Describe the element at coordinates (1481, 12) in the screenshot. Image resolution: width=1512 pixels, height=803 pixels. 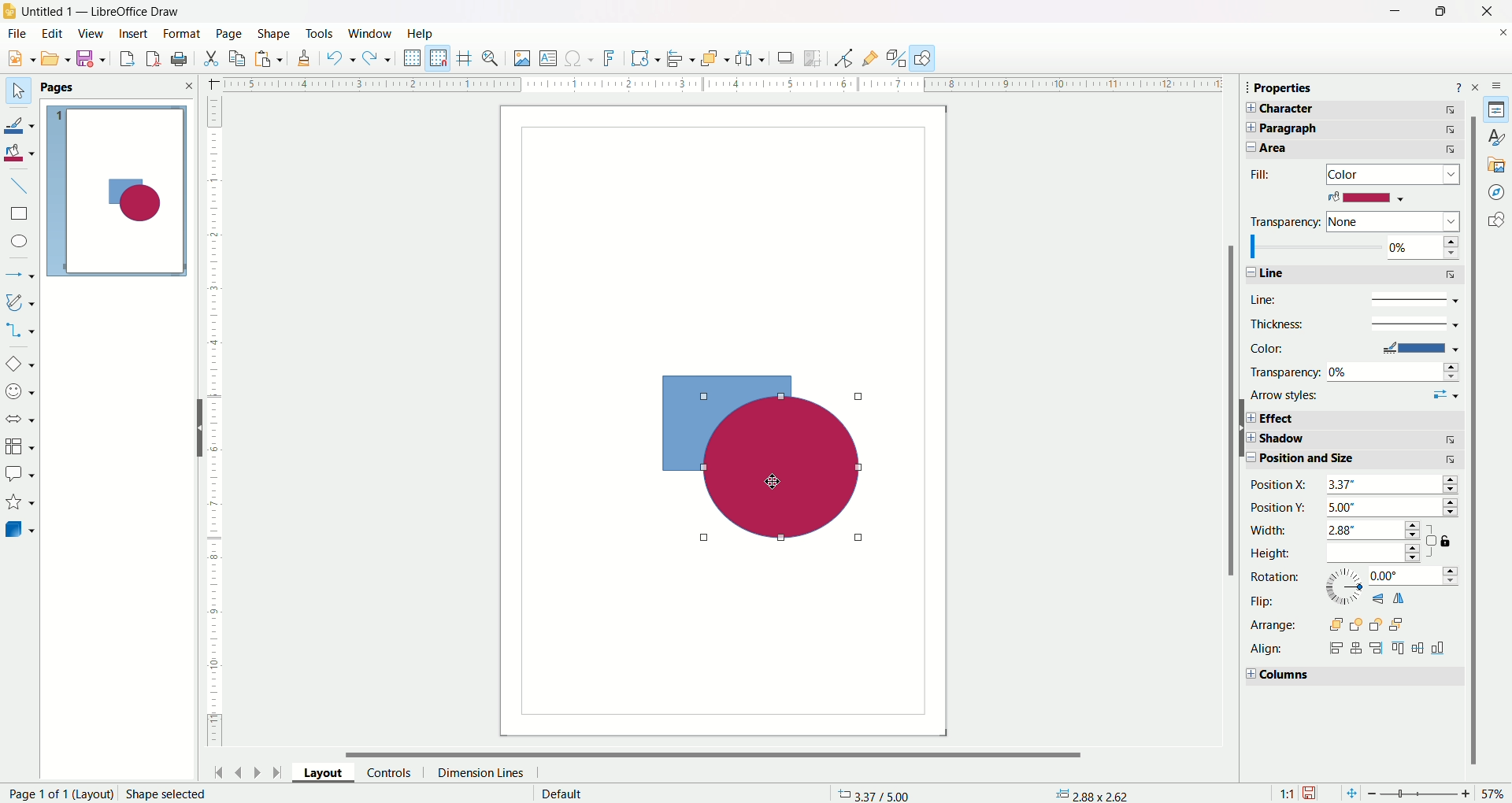
I see `close` at that location.